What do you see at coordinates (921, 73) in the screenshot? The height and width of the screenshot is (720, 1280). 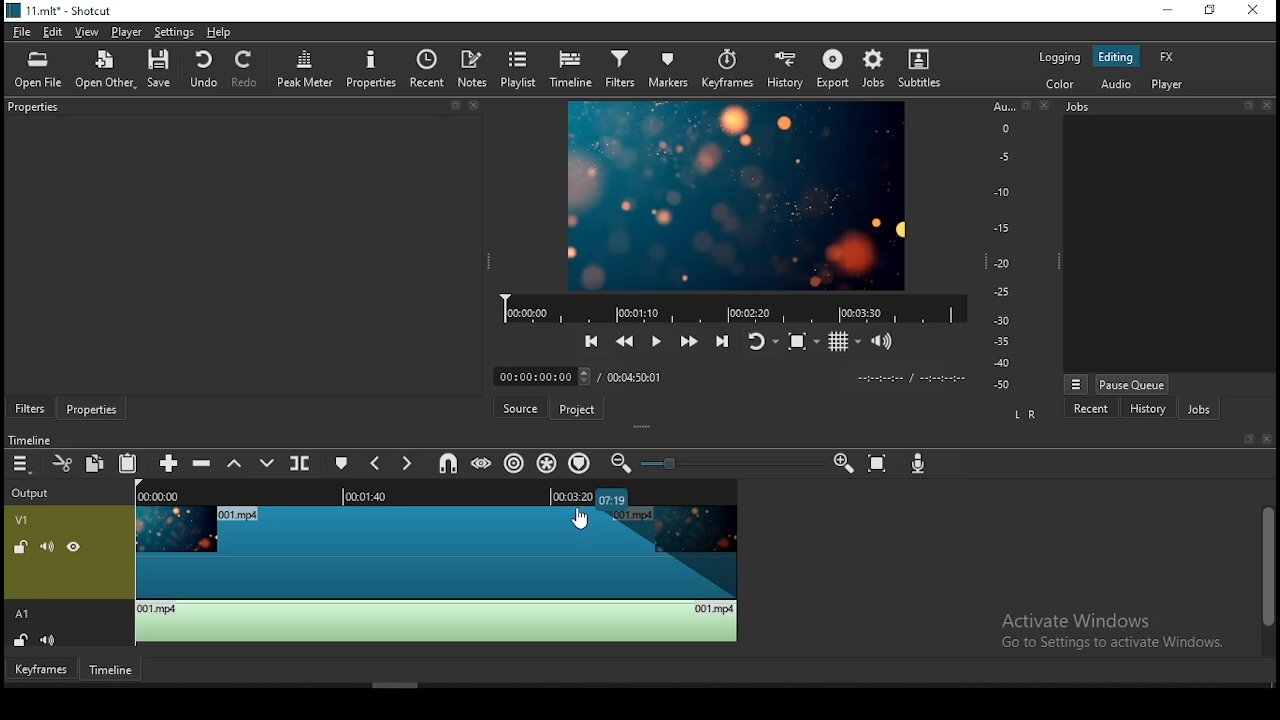 I see `subtitles` at bounding box center [921, 73].